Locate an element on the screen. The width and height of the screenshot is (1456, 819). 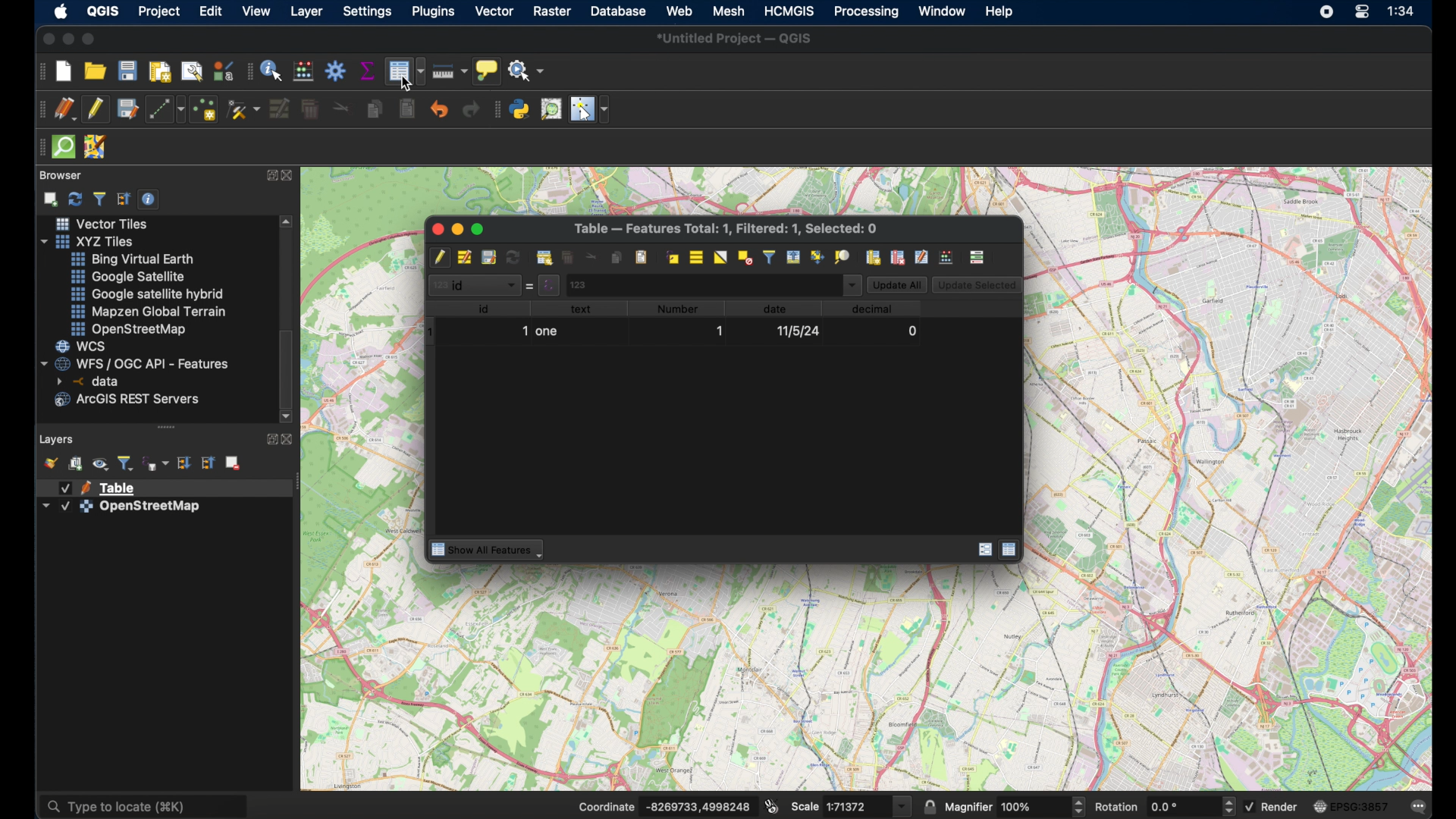
EPSG:3857 is located at coordinates (1364, 805).